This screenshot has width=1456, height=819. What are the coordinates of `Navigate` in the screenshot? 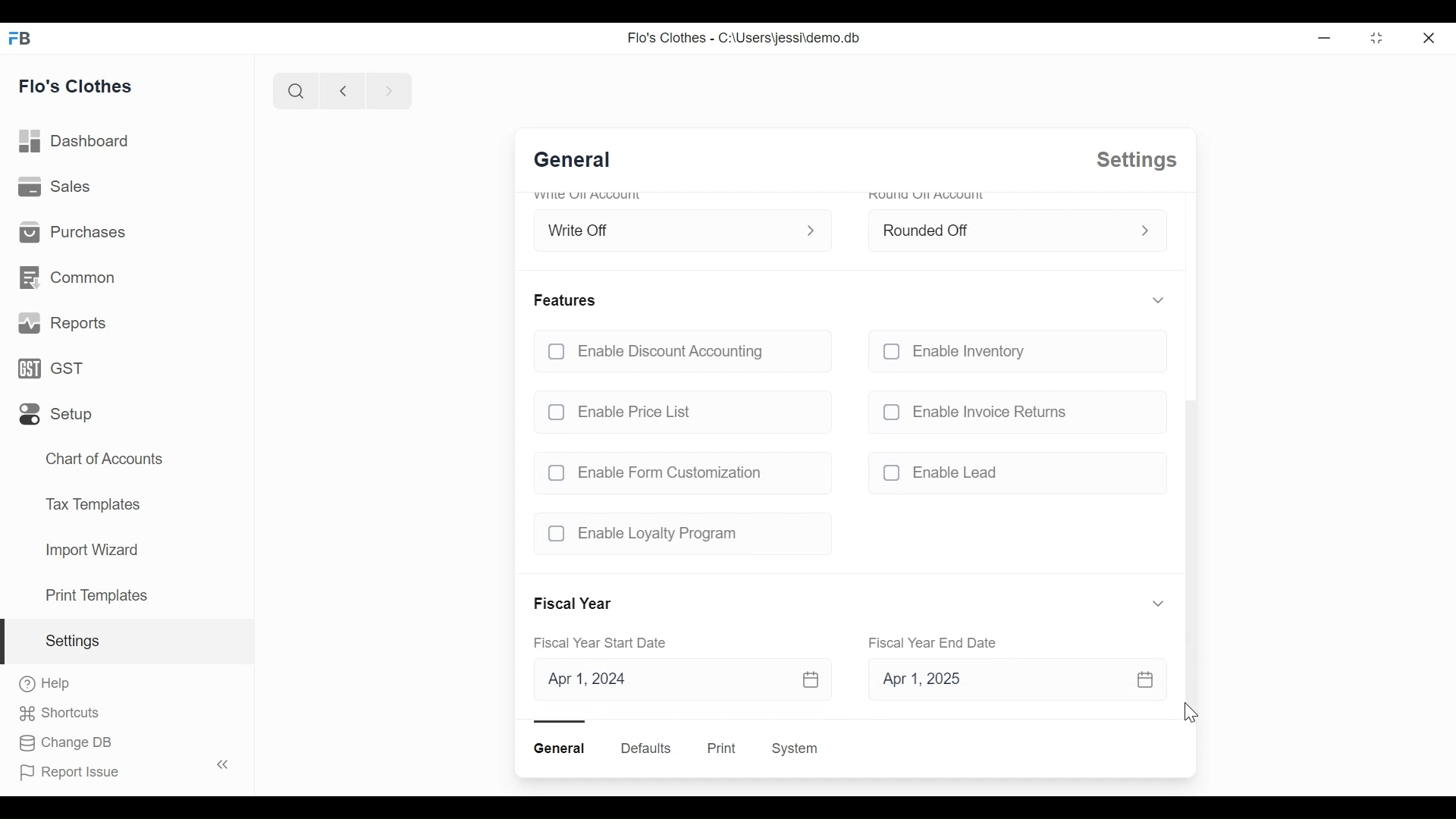 It's located at (387, 89).